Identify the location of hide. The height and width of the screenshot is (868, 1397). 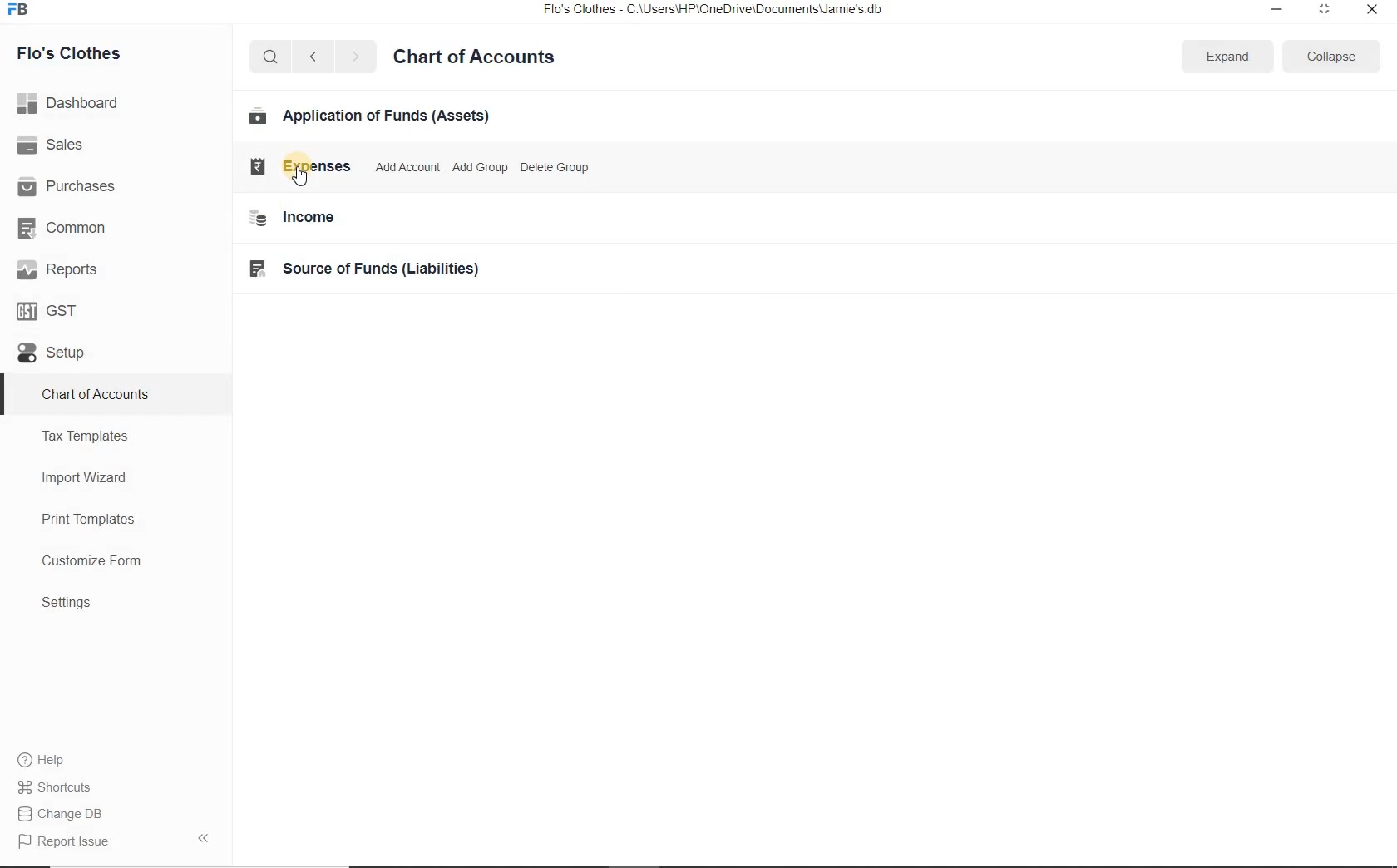
(204, 838).